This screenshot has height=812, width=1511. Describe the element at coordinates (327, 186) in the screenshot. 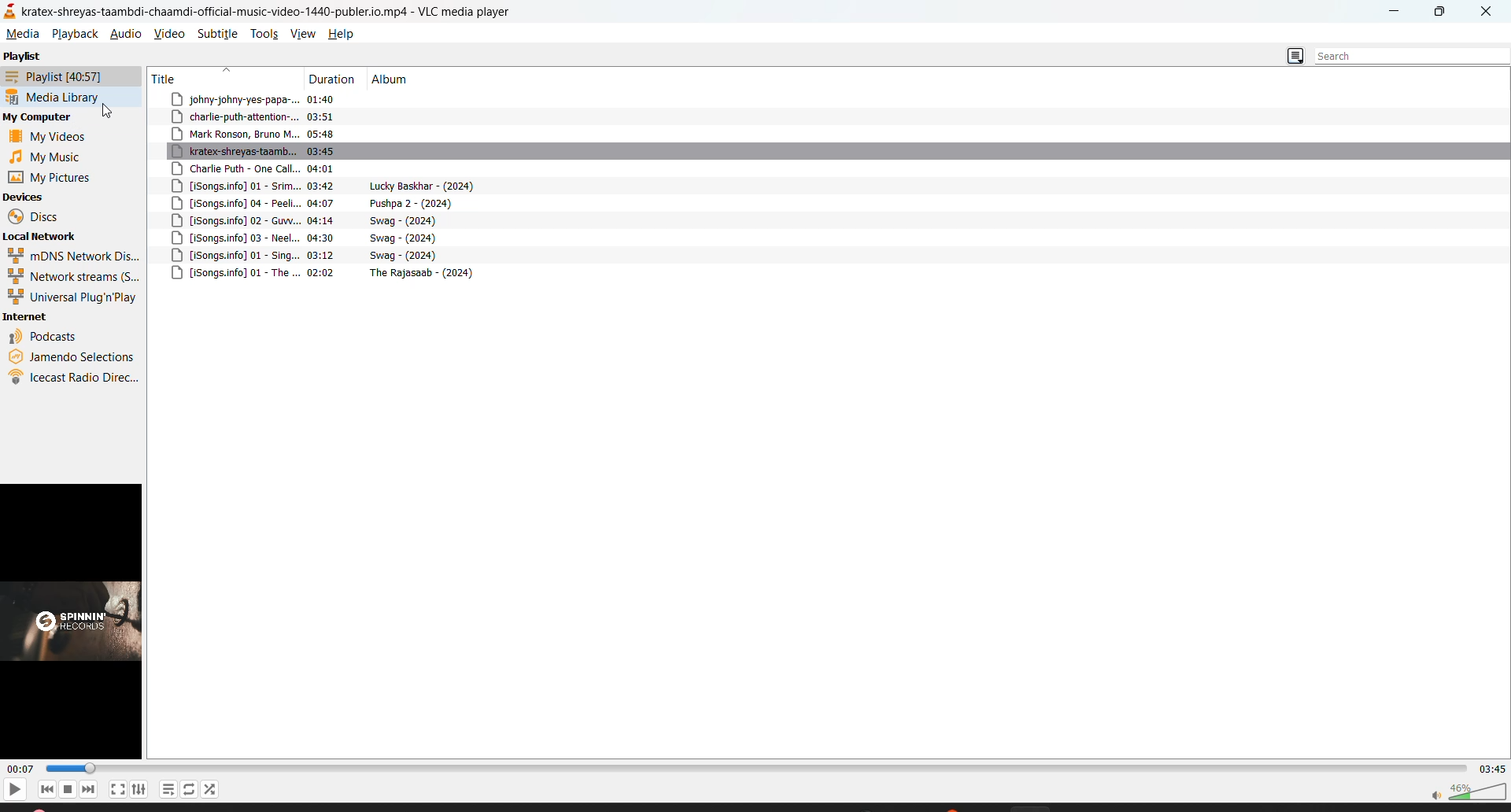

I see `track title , duration and album` at that location.